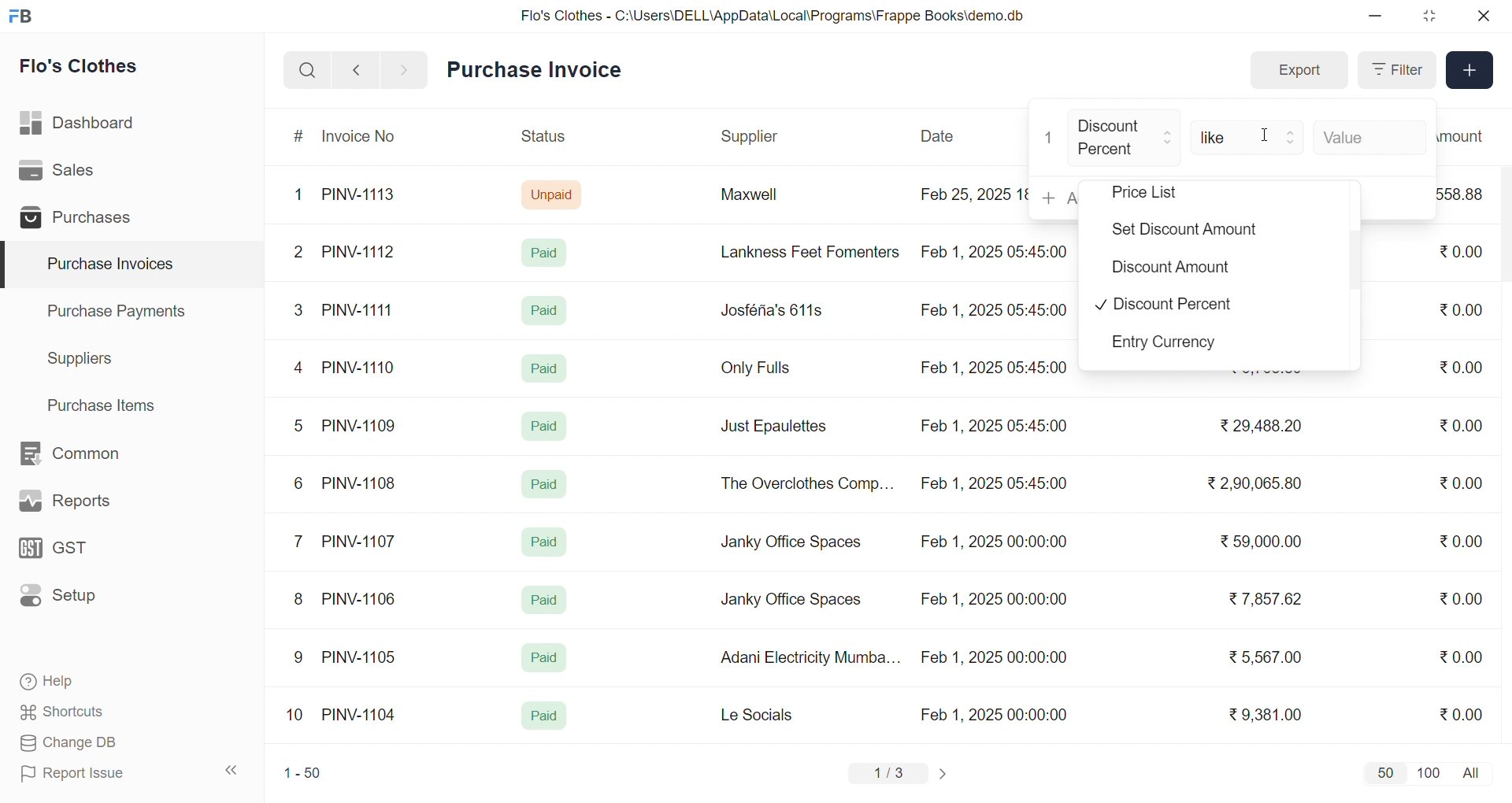 This screenshot has width=1512, height=803. I want to click on ₹29,488.20, so click(1256, 426).